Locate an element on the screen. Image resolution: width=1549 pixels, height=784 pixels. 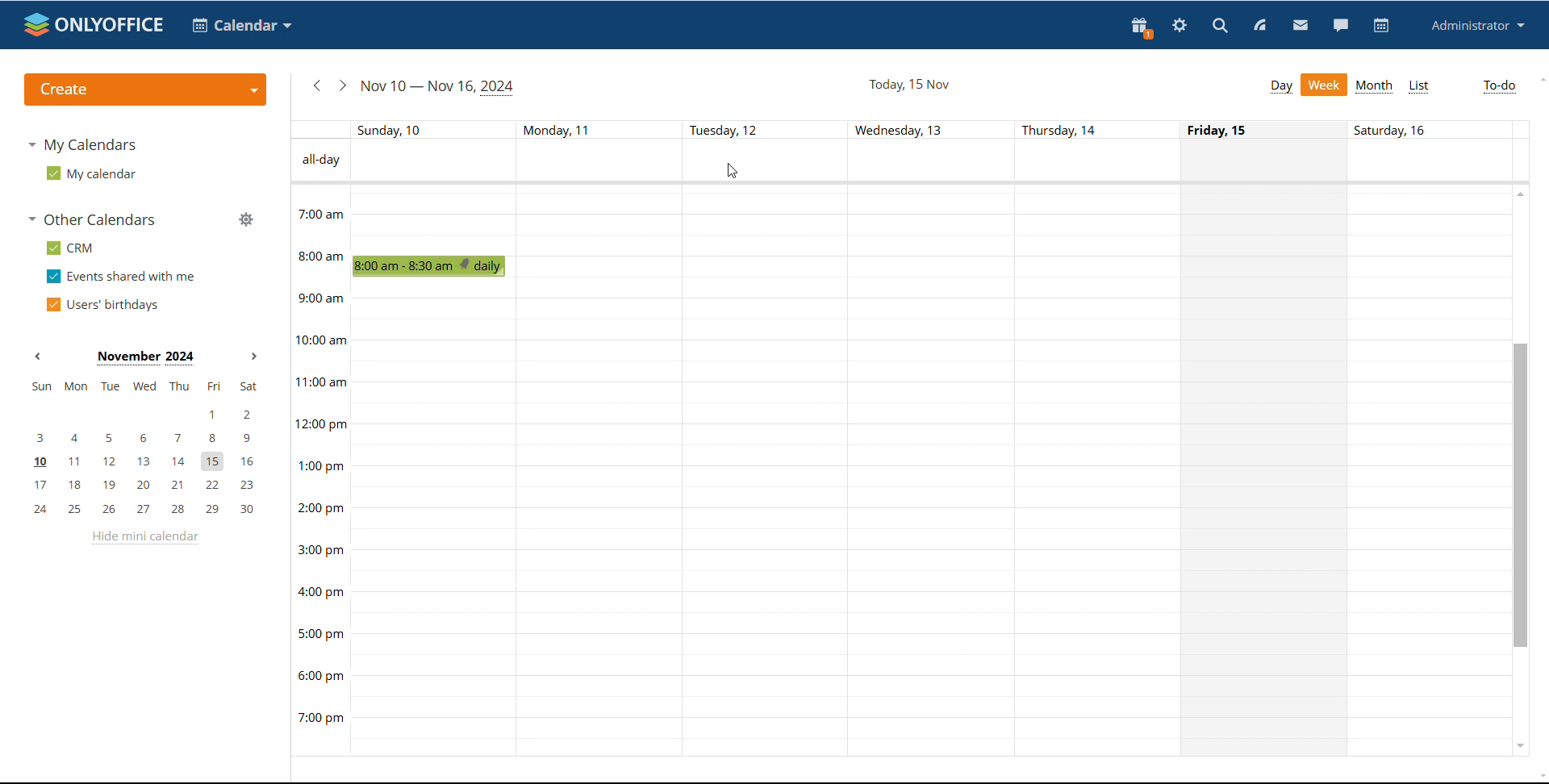
timeline is located at coordinates (319, 469).